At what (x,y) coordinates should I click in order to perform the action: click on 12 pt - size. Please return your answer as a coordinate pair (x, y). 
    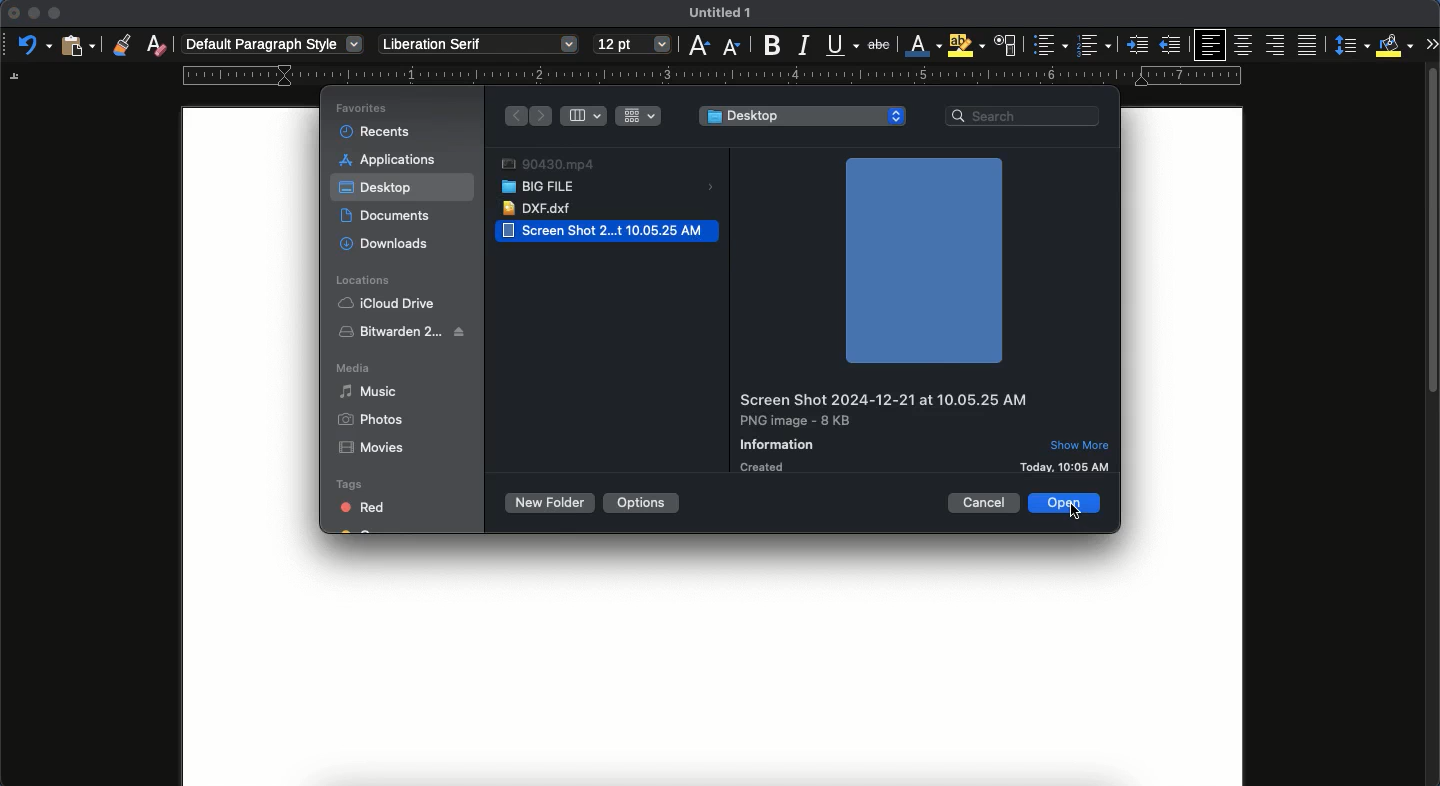
    Looking at the image, I should click on (632, 46).